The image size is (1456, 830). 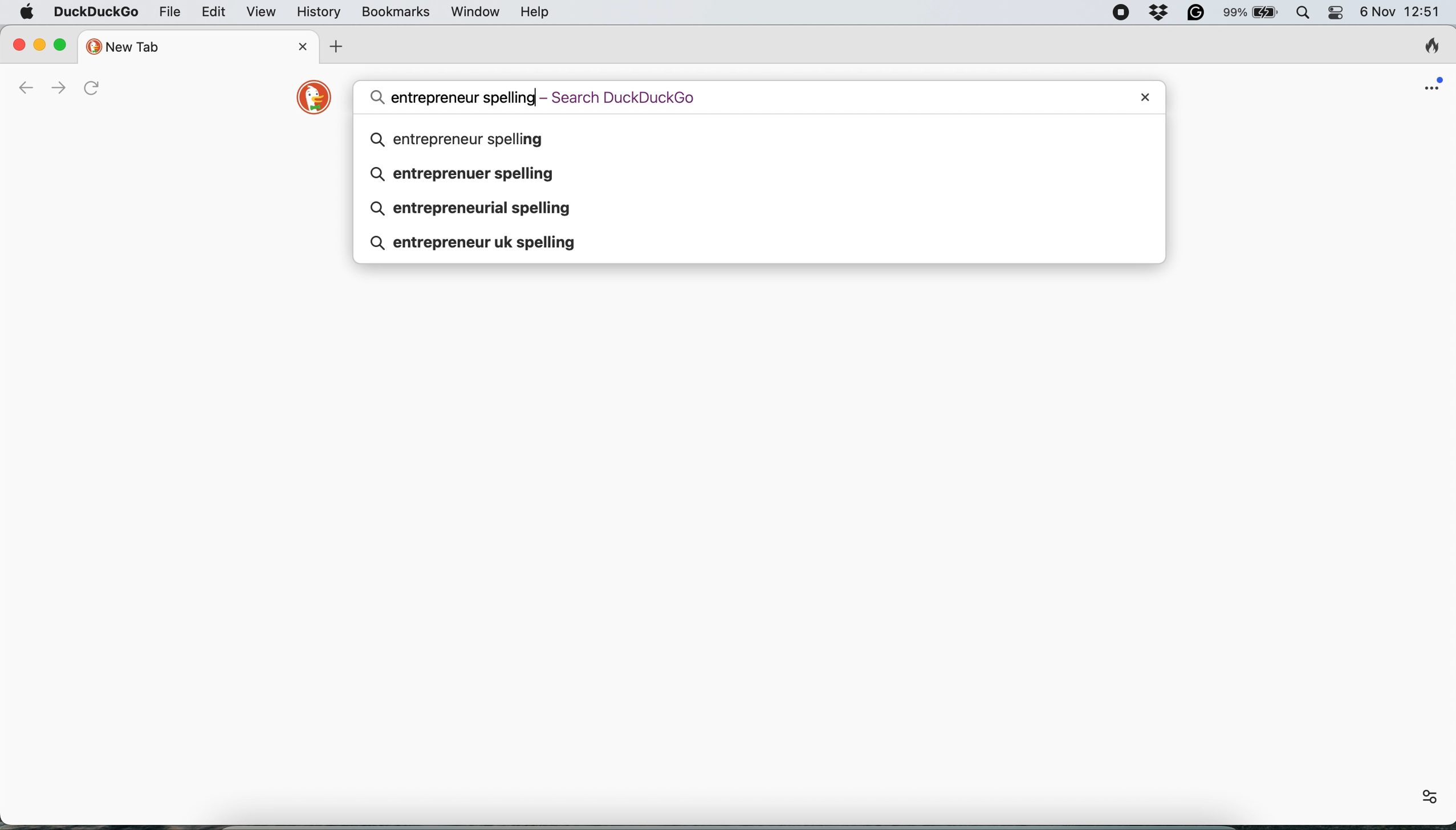 What do you see at coordinates (30, 89) in the screenshot?
I see `go back` at bounding box center [30, 89].